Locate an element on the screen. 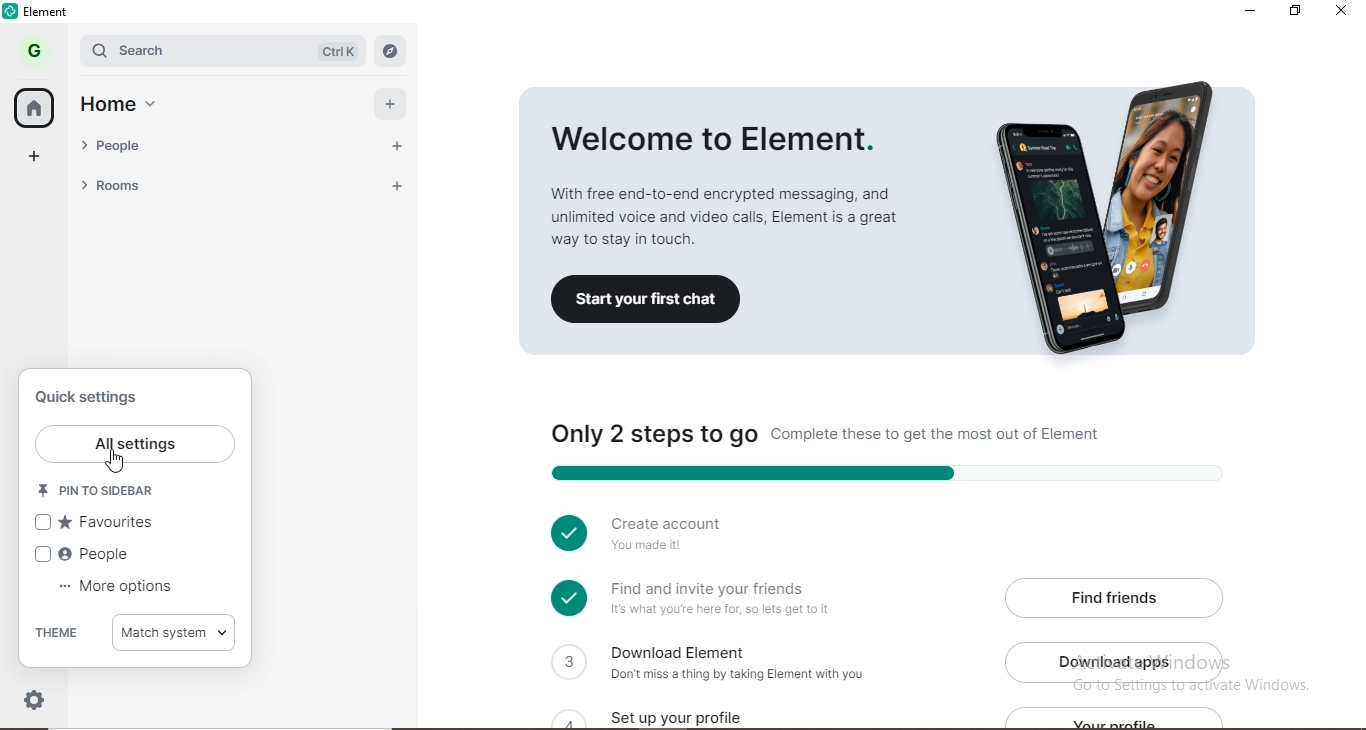  download apps is located at coordinates (1120, 662).